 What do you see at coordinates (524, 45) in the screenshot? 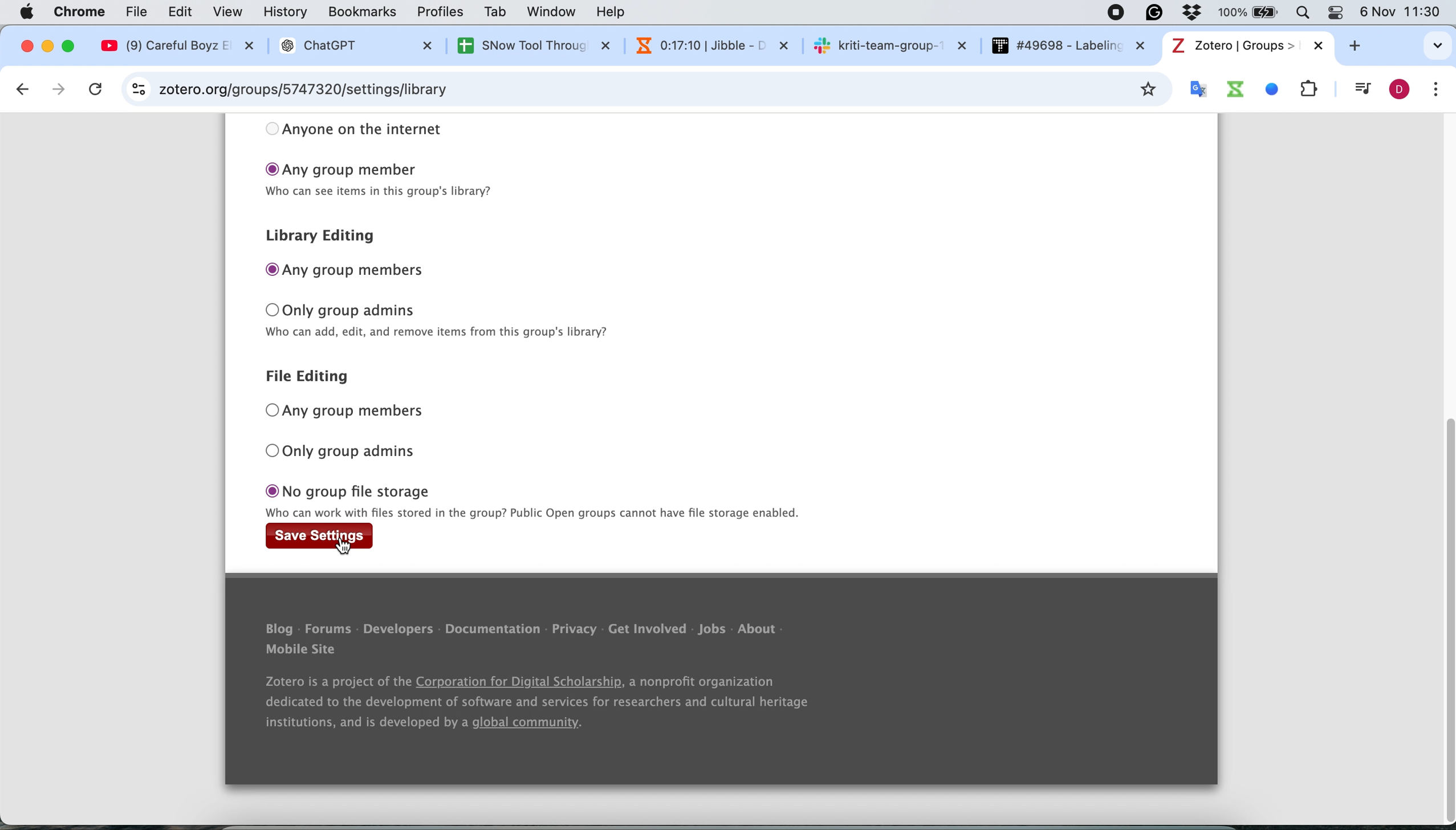
I see `SNow Tool Throuc  X` at bounding box center [524, 45].